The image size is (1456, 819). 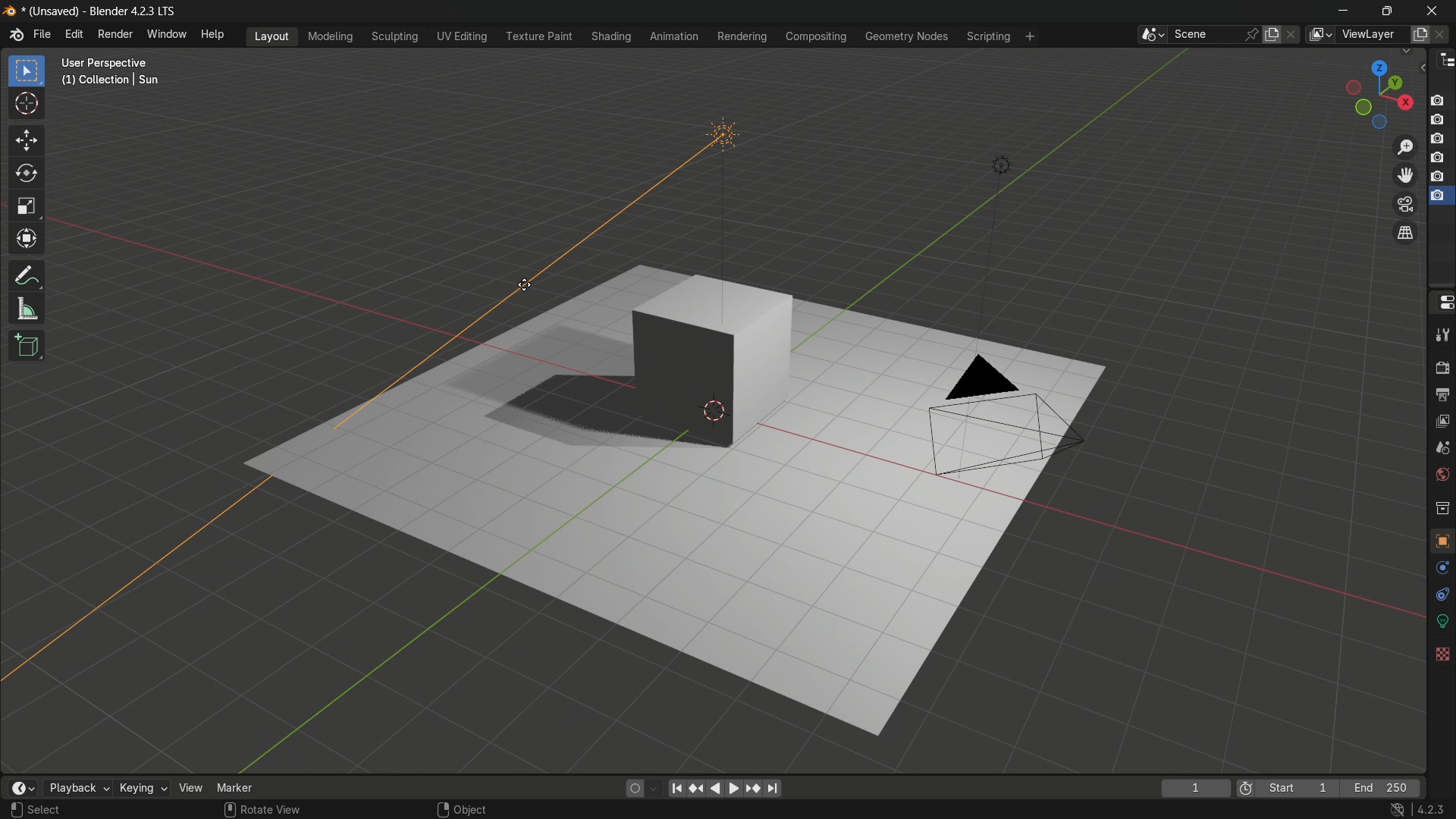 I want to click on keying, so click(x=139, y=787).